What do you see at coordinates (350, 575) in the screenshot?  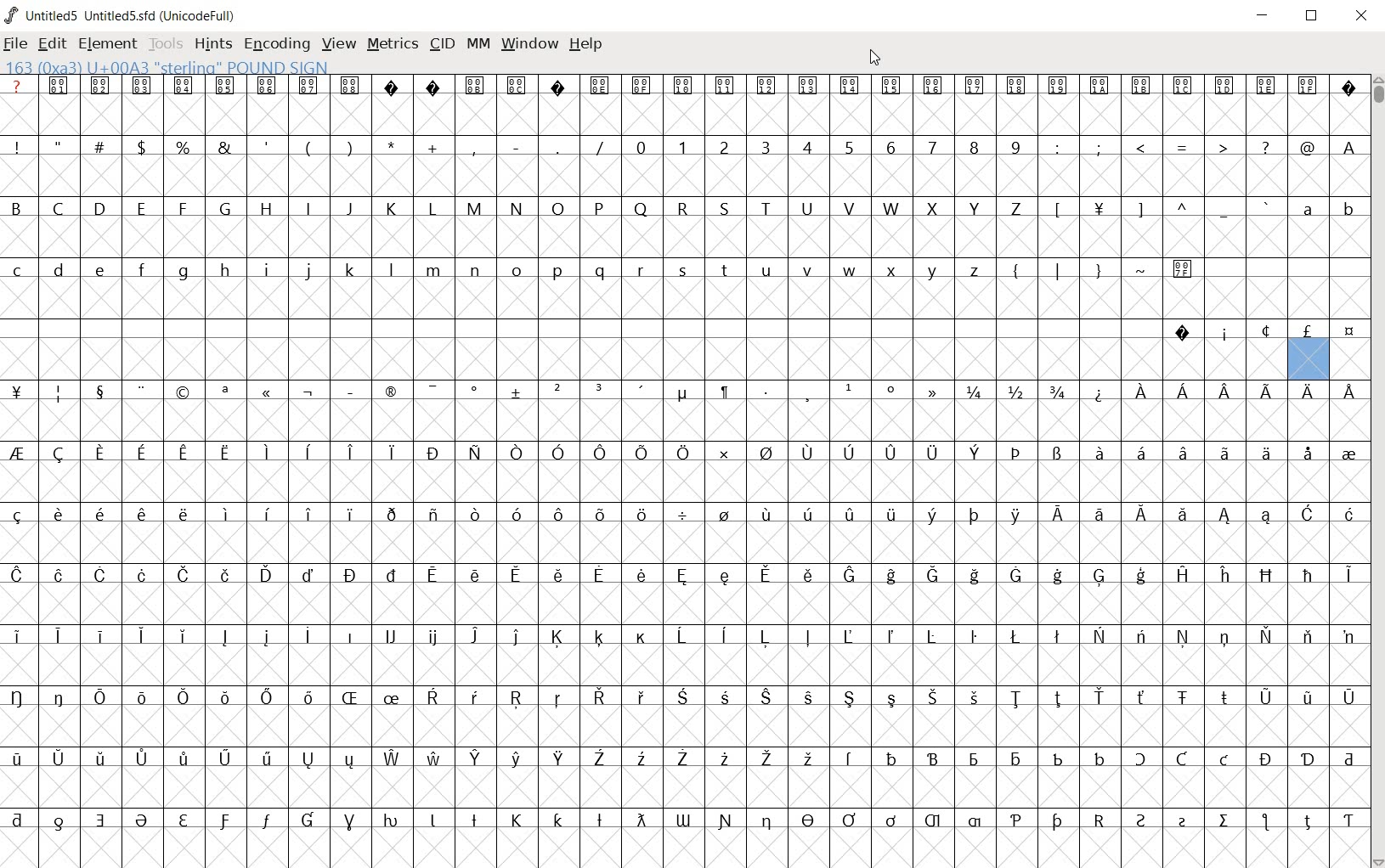 I see `Symbol` at bounding box center [350, 575].